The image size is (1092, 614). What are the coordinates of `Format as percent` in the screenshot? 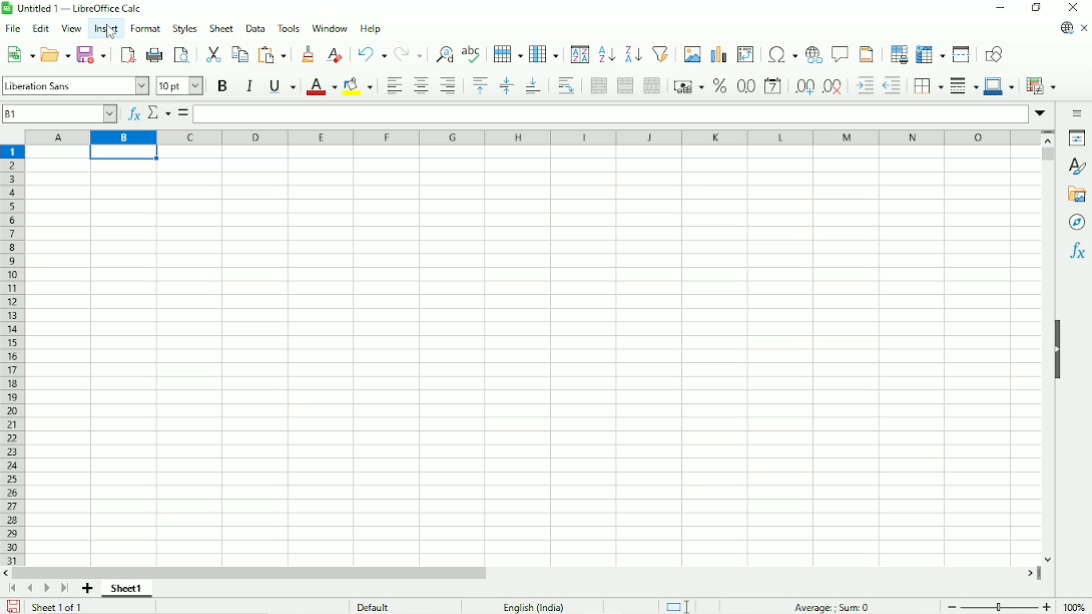 It's located at (719, 86).